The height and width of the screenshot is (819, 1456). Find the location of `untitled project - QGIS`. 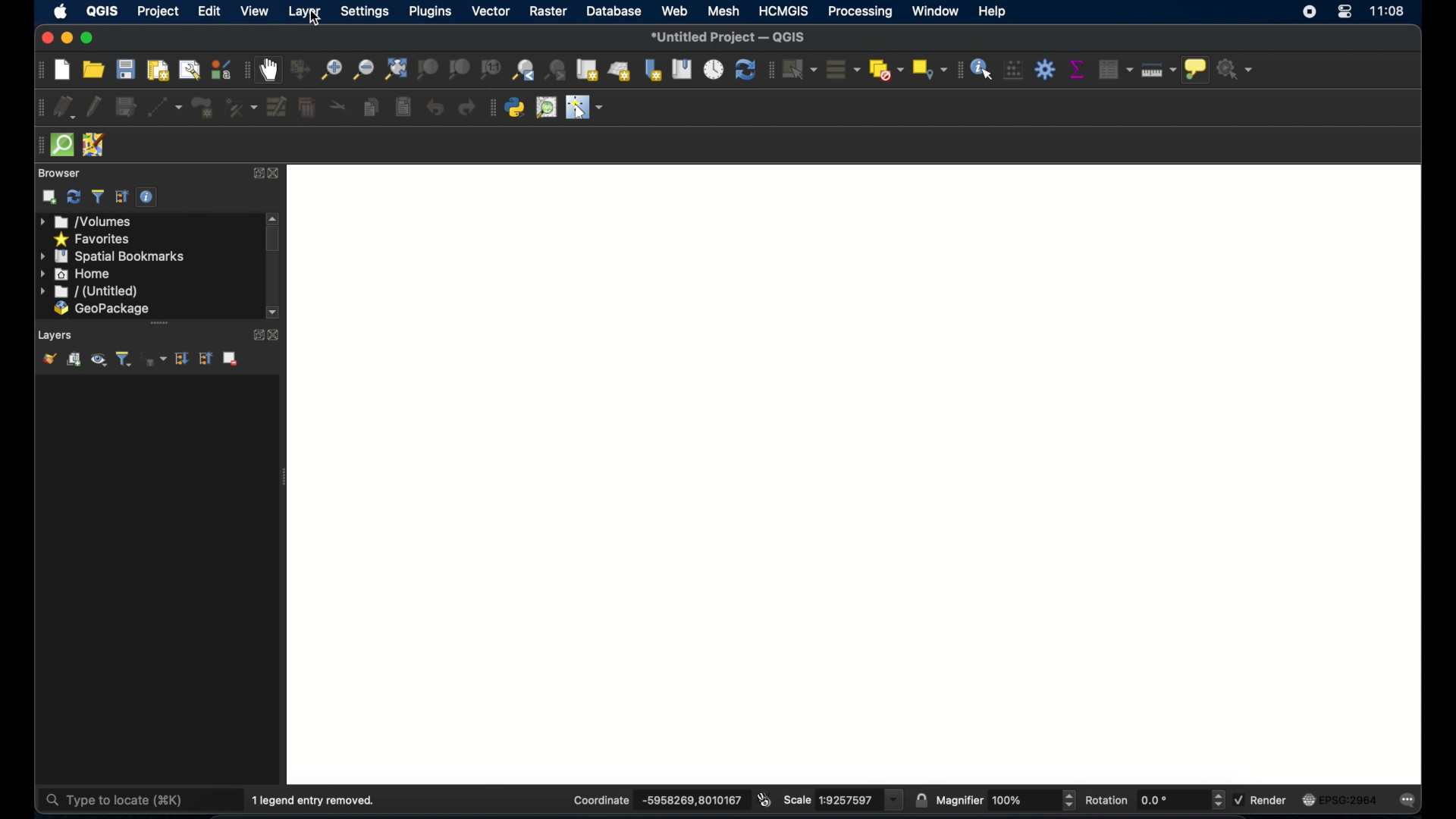

untitled project - QGIS is located at coordinates (732, 36).